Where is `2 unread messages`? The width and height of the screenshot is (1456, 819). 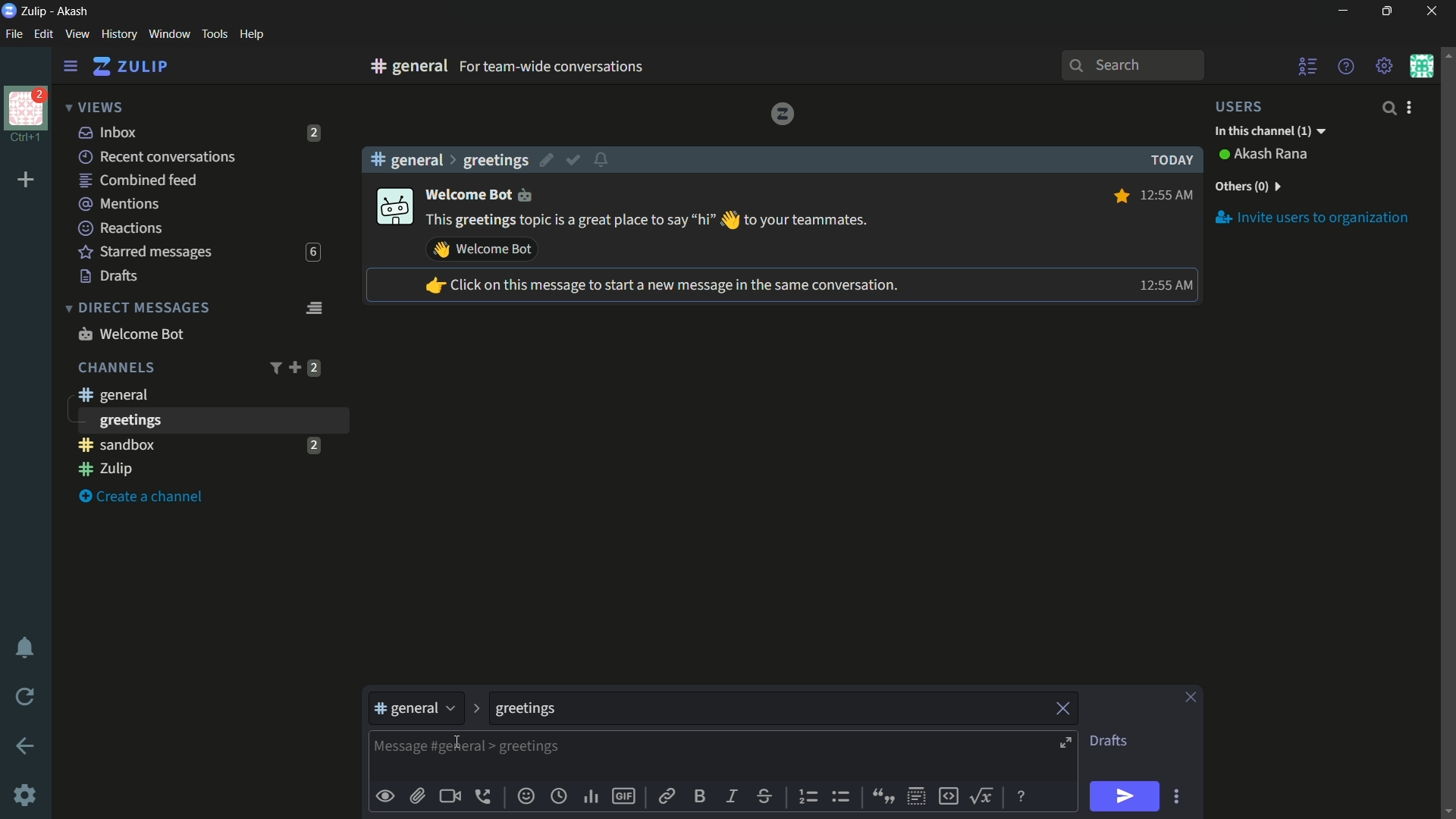 2 unread messages is located at coordinates (314, 368).